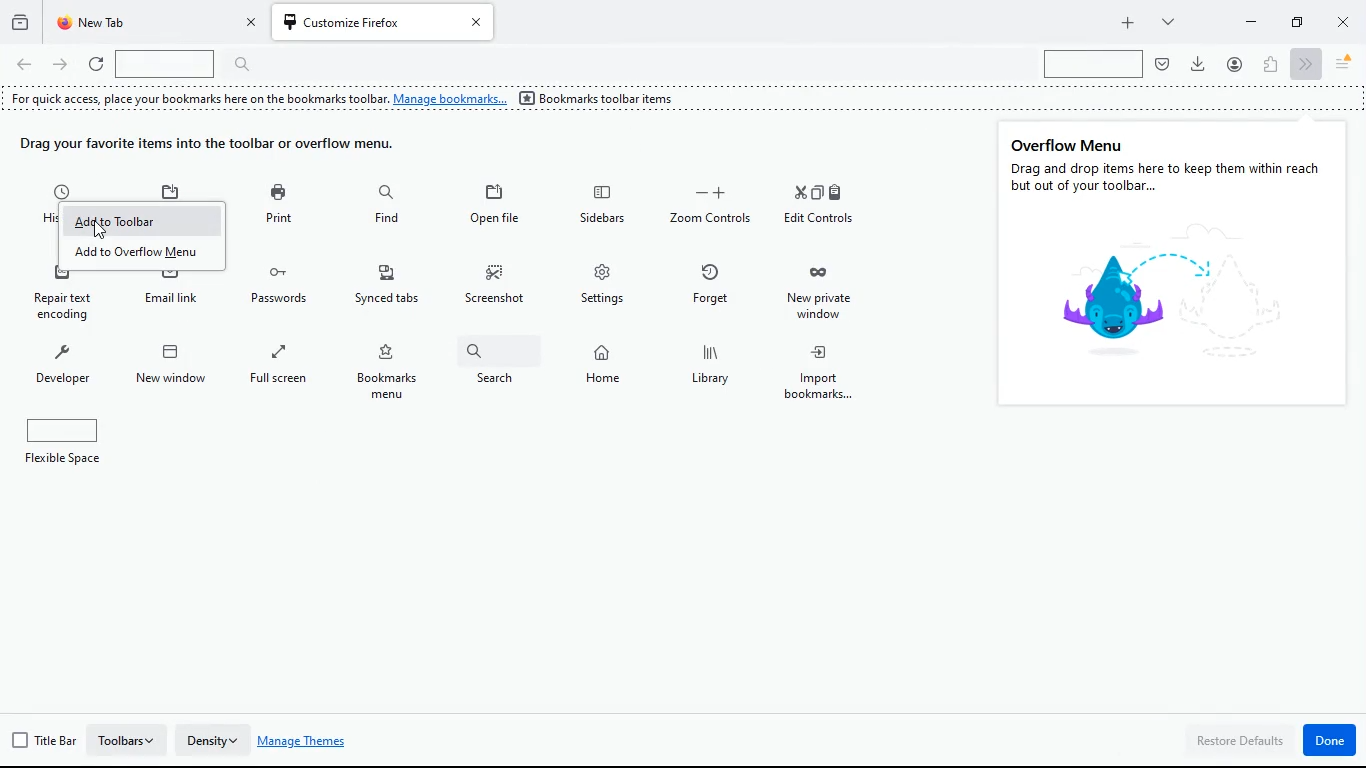 This screenshot has width=1366, height=768. What do you see at coordinates (1251, 20) in the screenshot?
I see `minimize` at bounding box center [1251, 20].